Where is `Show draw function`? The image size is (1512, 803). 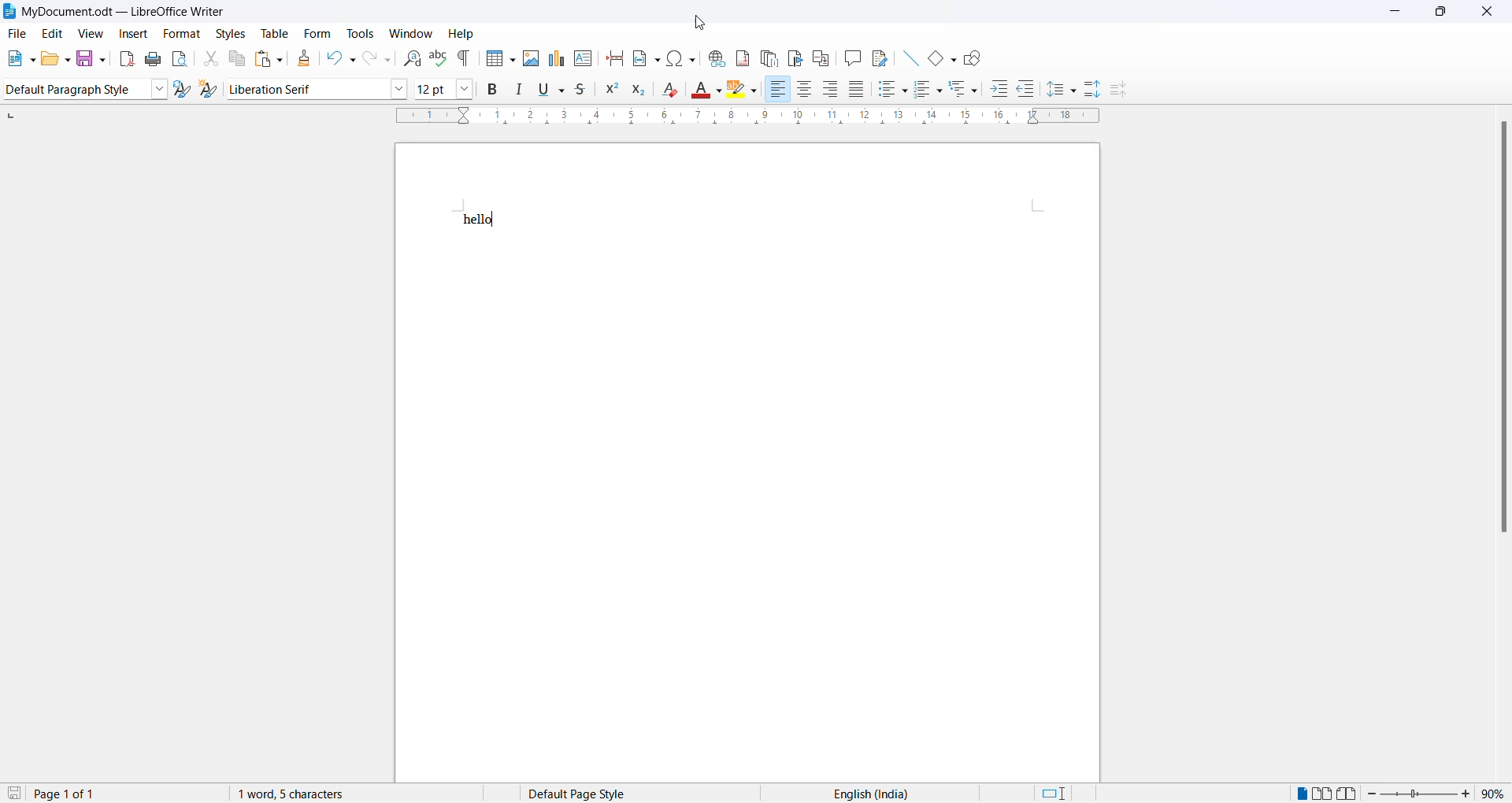 Show draw function is located at coordinates (975, 58).